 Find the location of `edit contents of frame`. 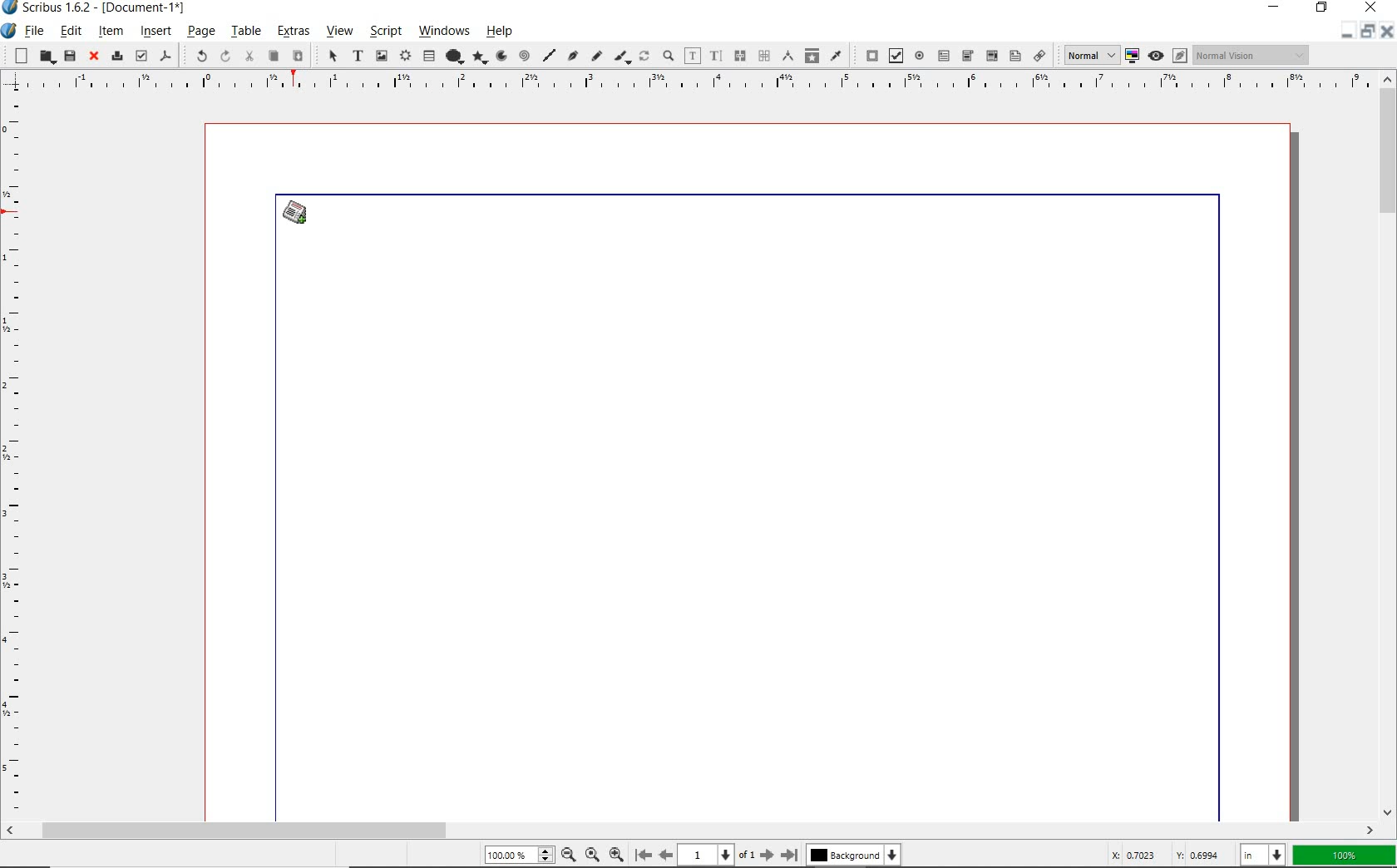

edit contents of frame is located at coordinates (694, 57).